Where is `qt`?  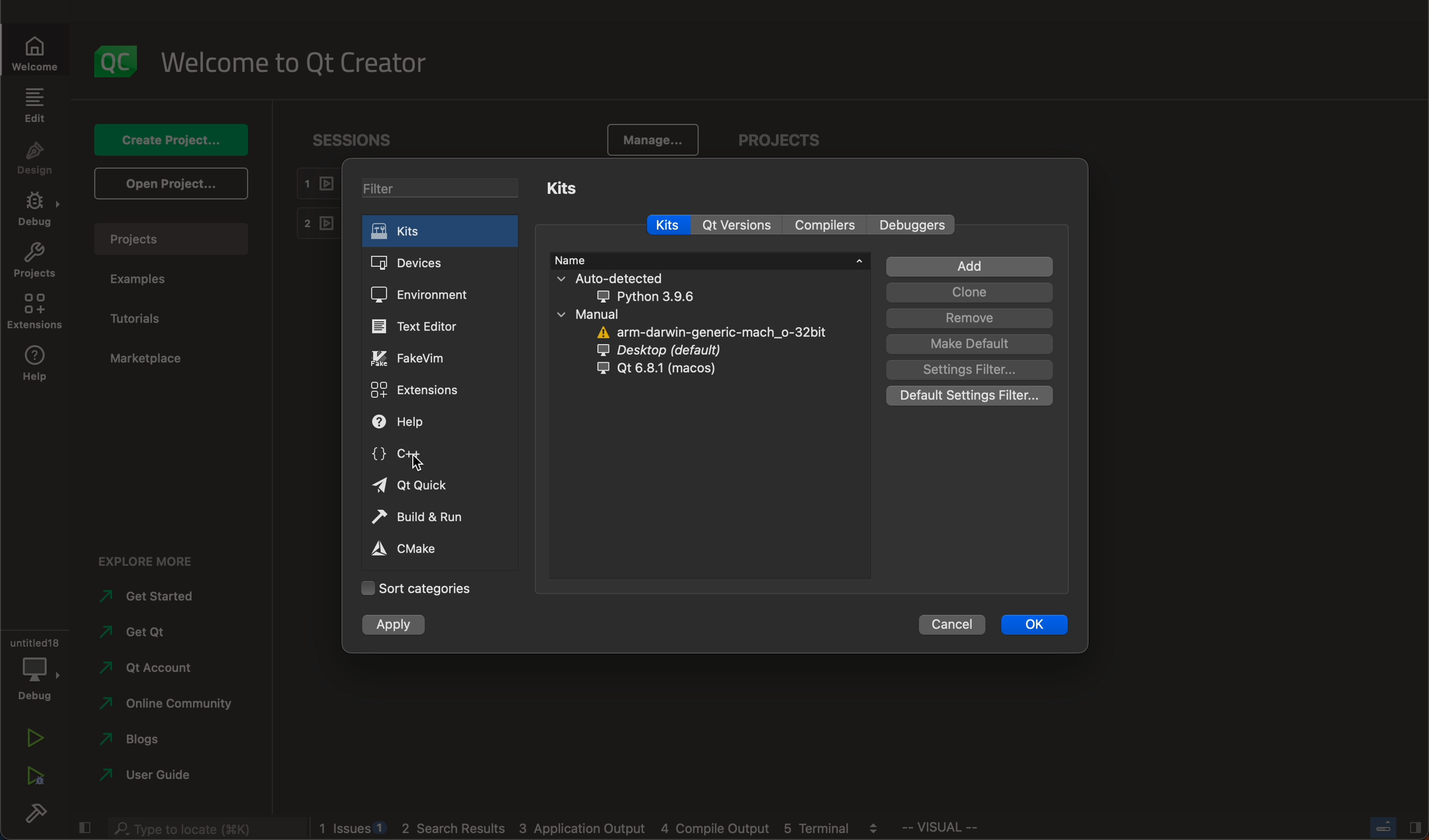 qt is located at coordinates (423, 484).